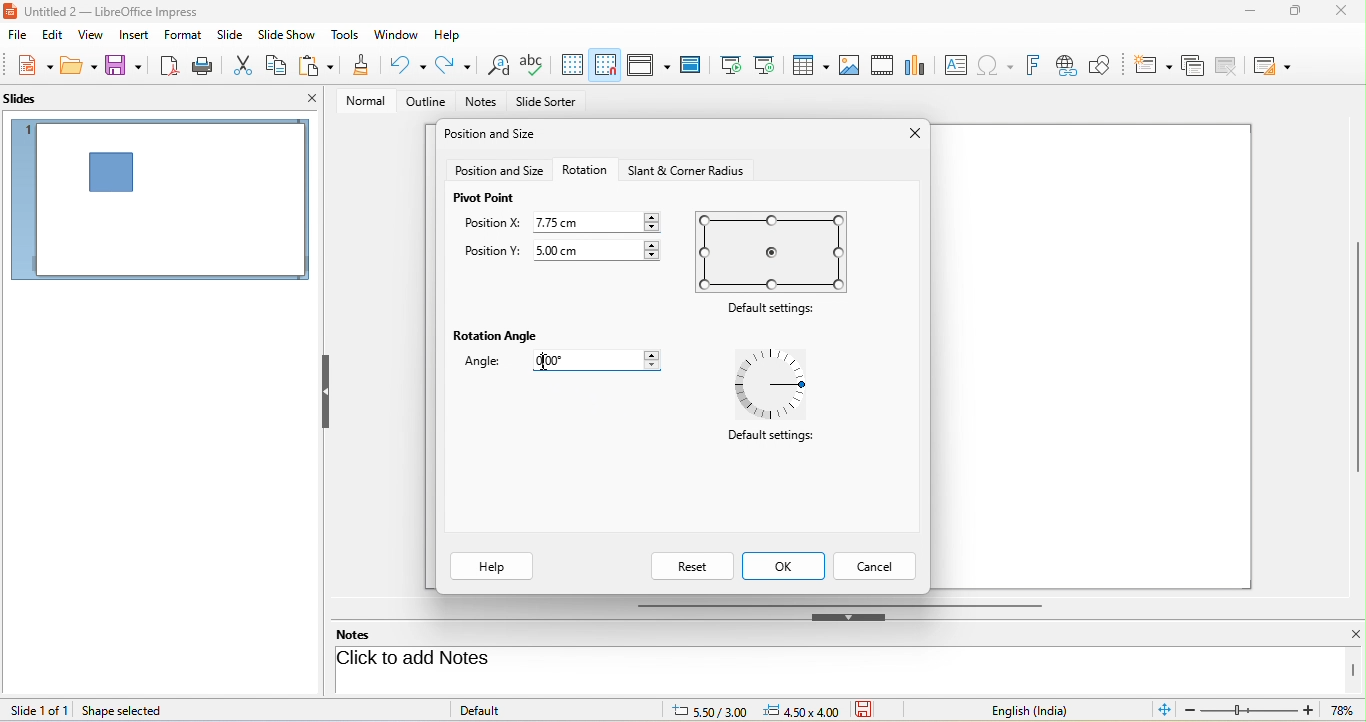 This screenshot has width=1366, height=722. What do you see at coordinates (171, 66) in the screenshot?
I see `export directly as pdf` at bounding box center [171, 66].